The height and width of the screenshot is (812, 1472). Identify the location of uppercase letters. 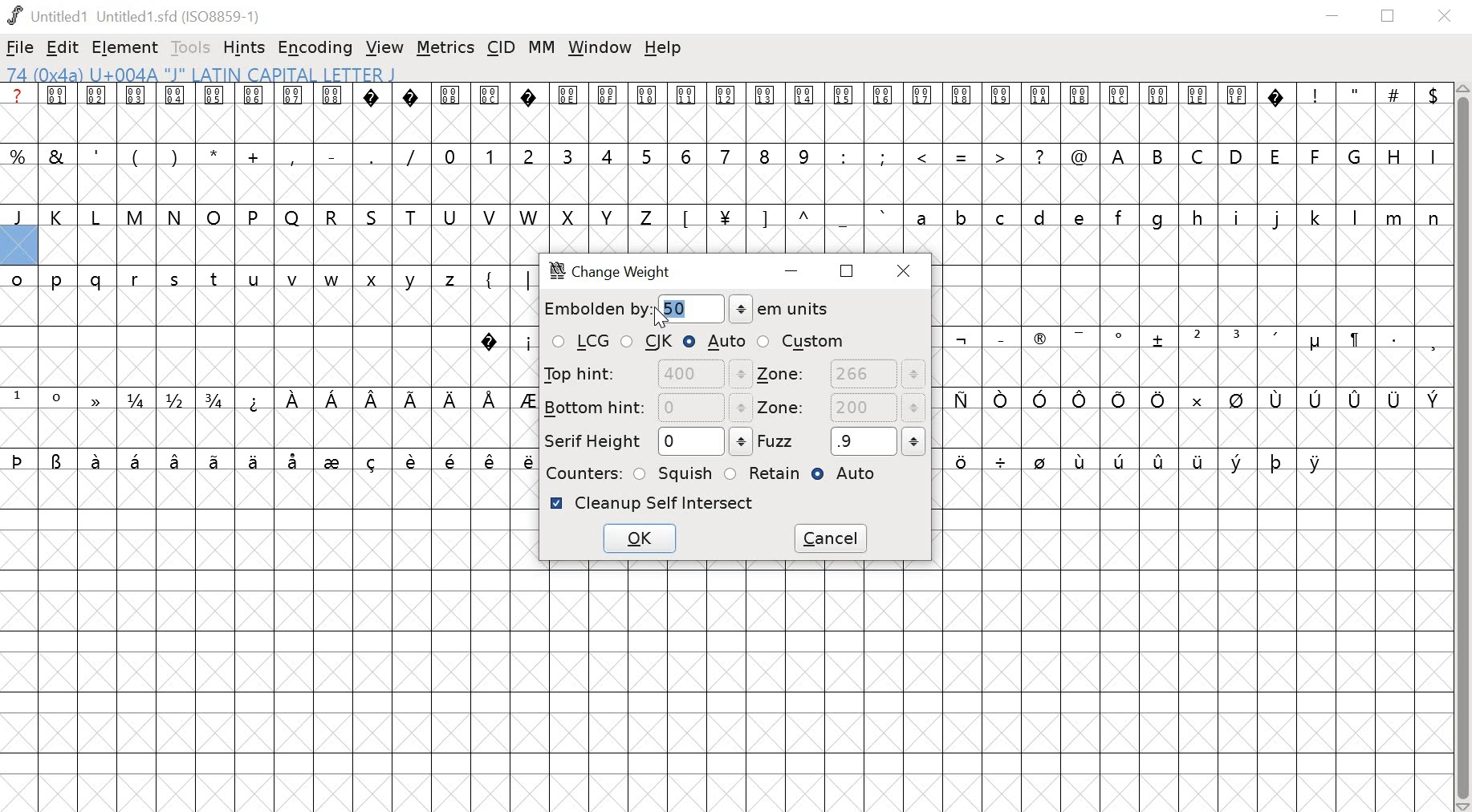
(328, 217).